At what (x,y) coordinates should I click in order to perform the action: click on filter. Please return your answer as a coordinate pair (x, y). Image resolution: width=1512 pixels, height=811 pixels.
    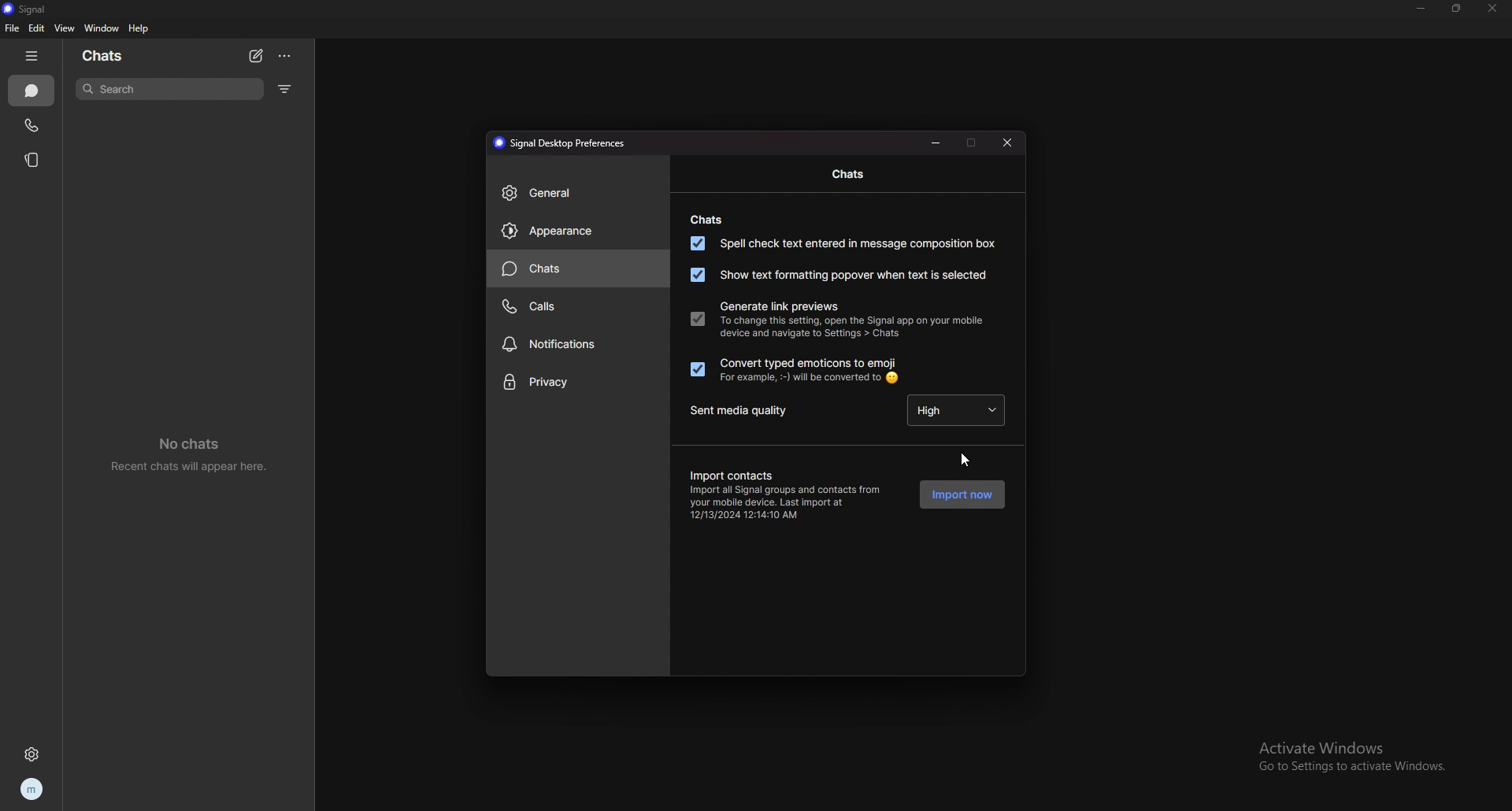
    Looking at the image, I should click on (286, 88).